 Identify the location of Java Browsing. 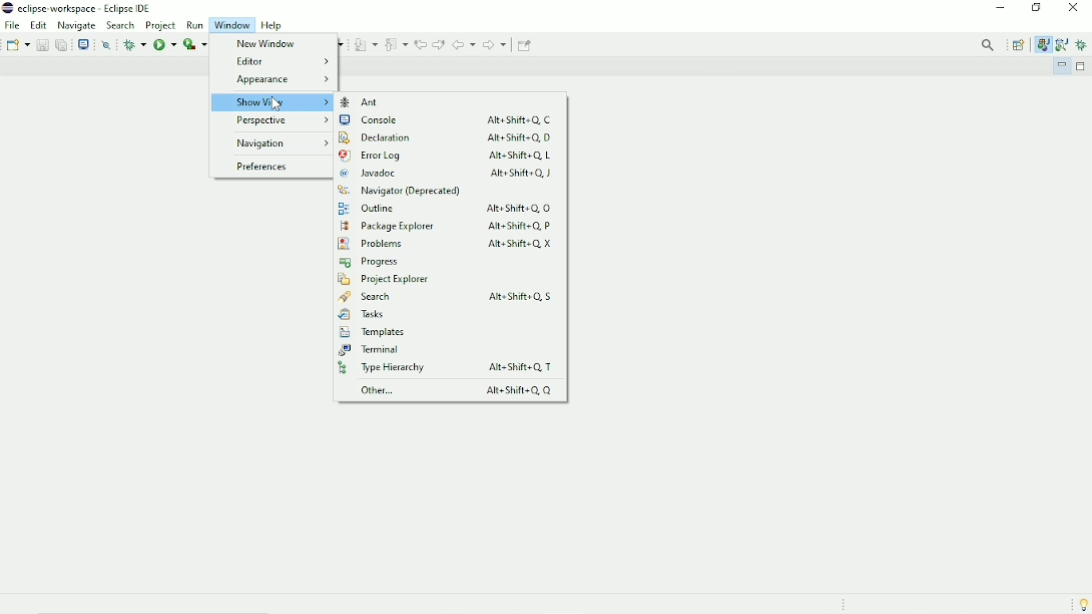
(1061, 45).